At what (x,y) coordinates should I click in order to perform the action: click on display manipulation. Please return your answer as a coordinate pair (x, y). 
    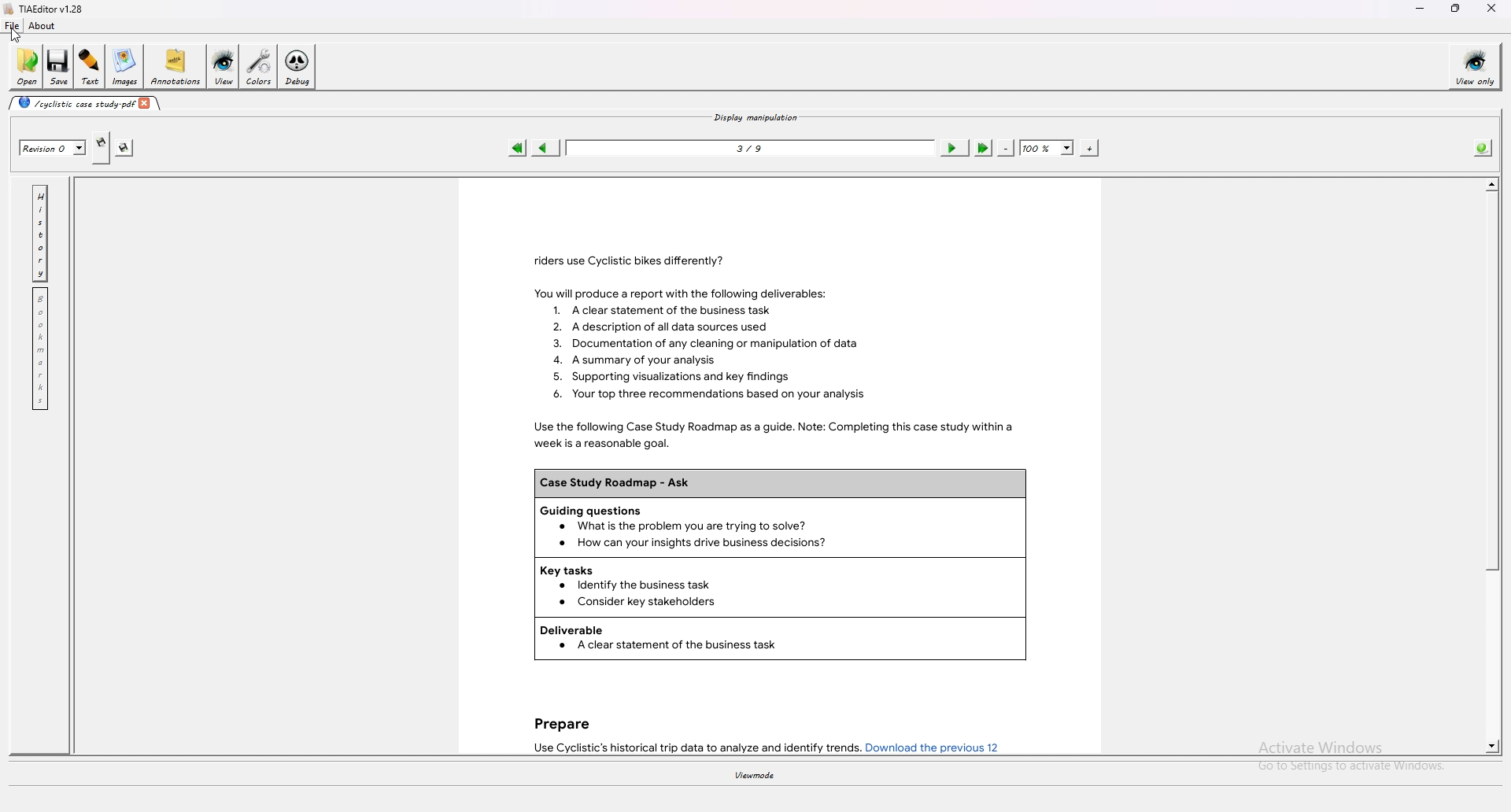
    Looking at the image, I should click on (755, 116).